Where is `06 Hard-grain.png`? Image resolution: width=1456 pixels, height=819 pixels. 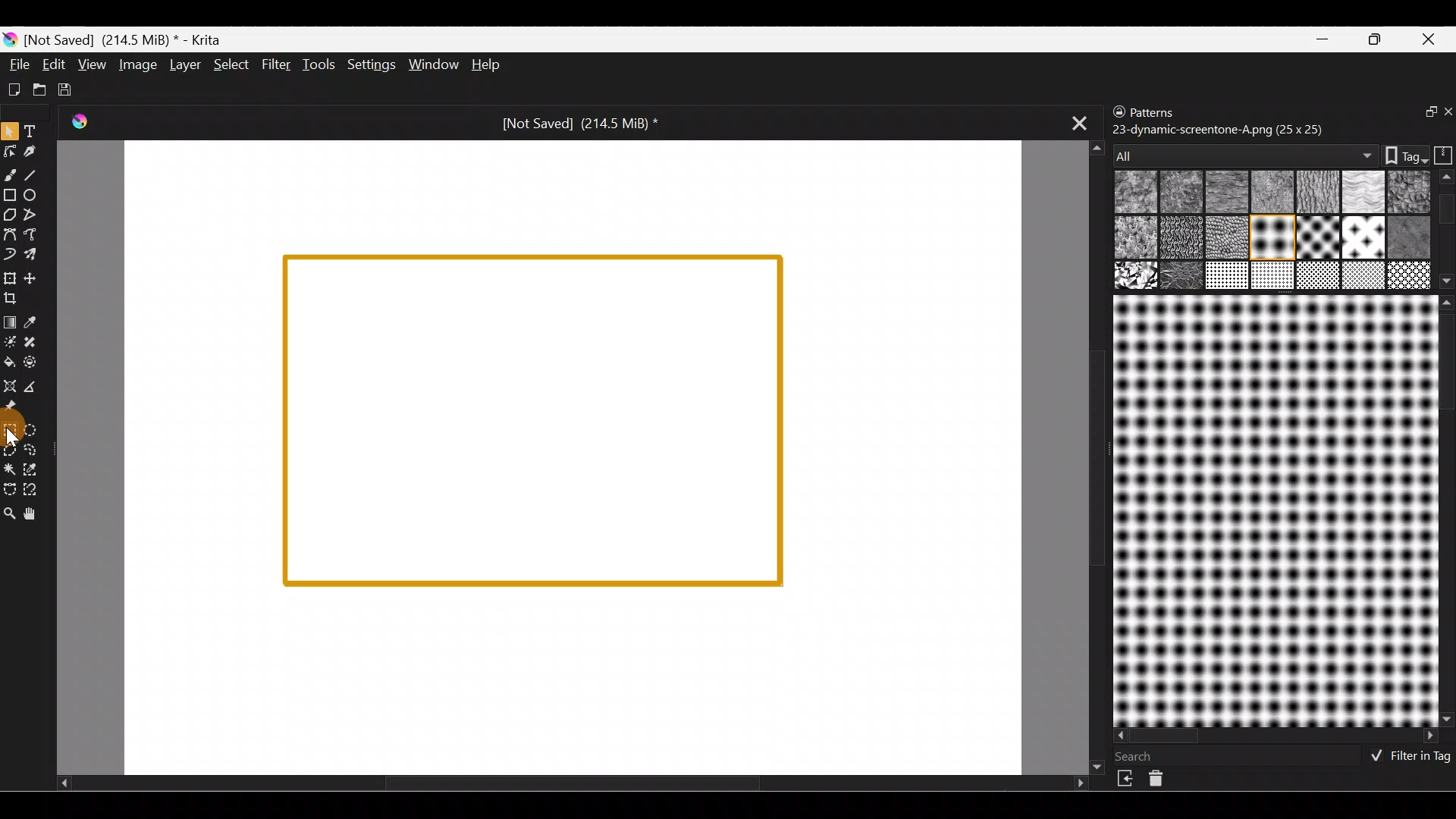
06 Hard-grain.png is located at coordinates (1409, 191).